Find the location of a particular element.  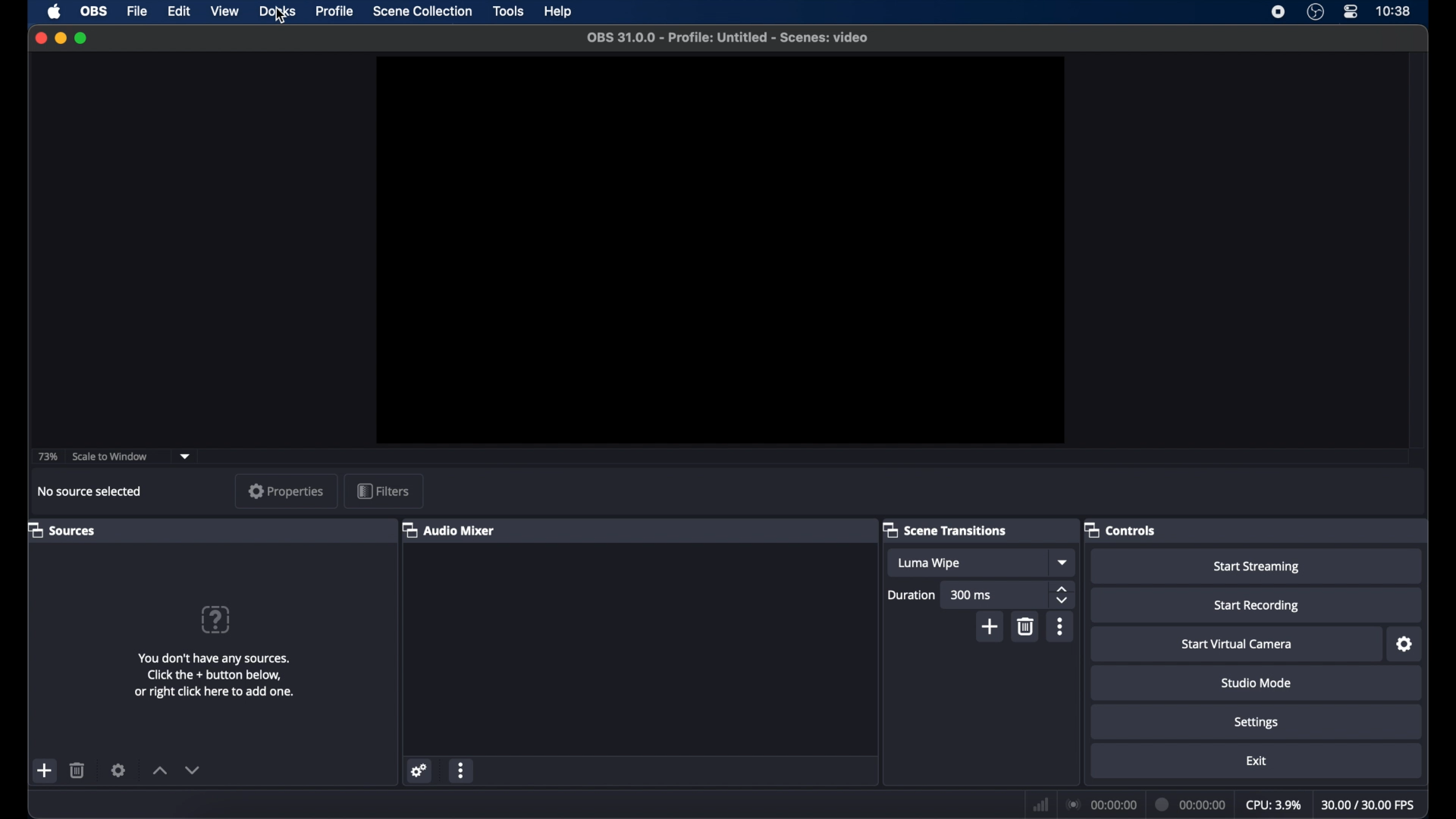

cursor is located at coordinates (282, 17).